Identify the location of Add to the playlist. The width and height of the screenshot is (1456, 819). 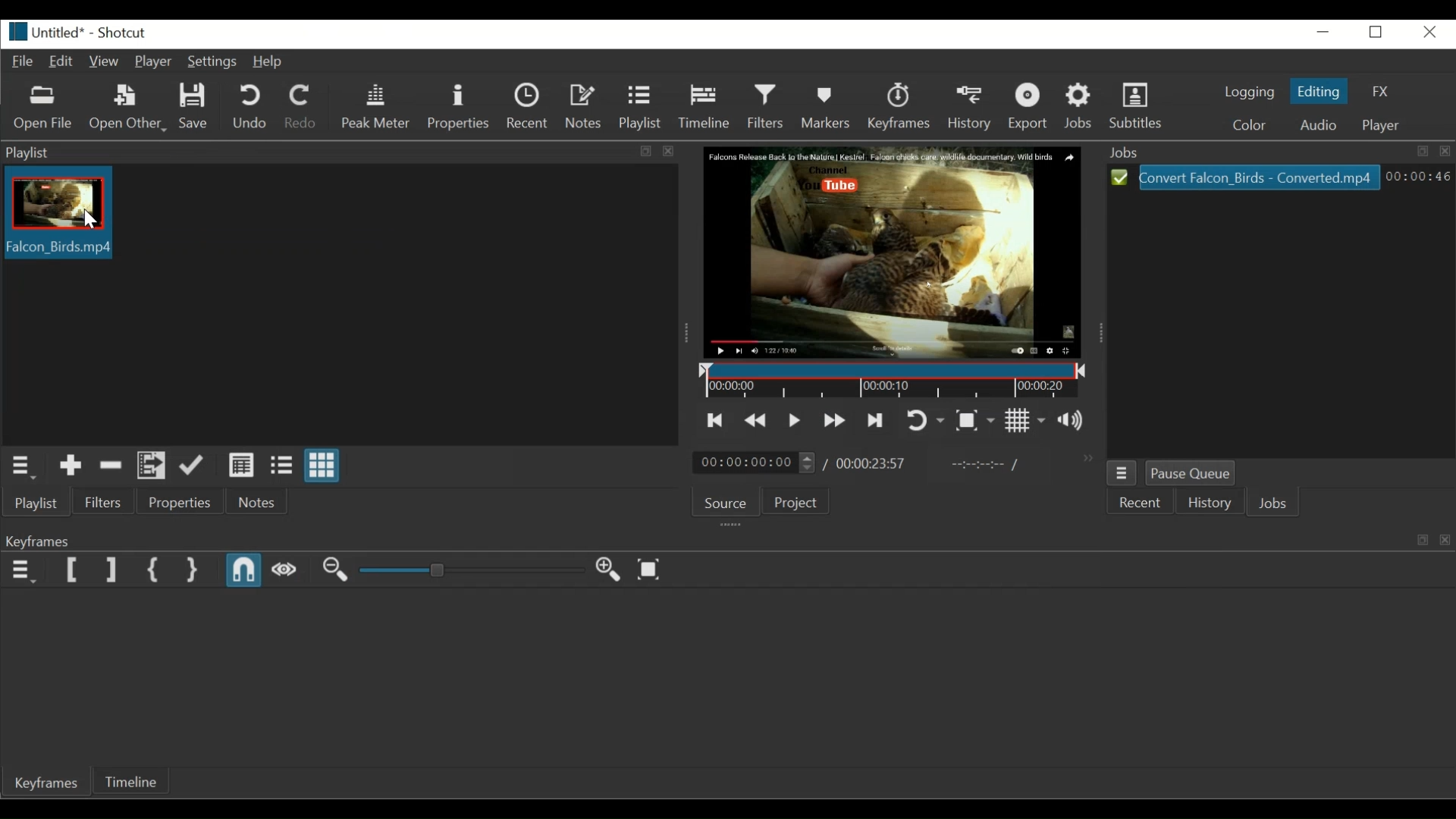
(71, 467).